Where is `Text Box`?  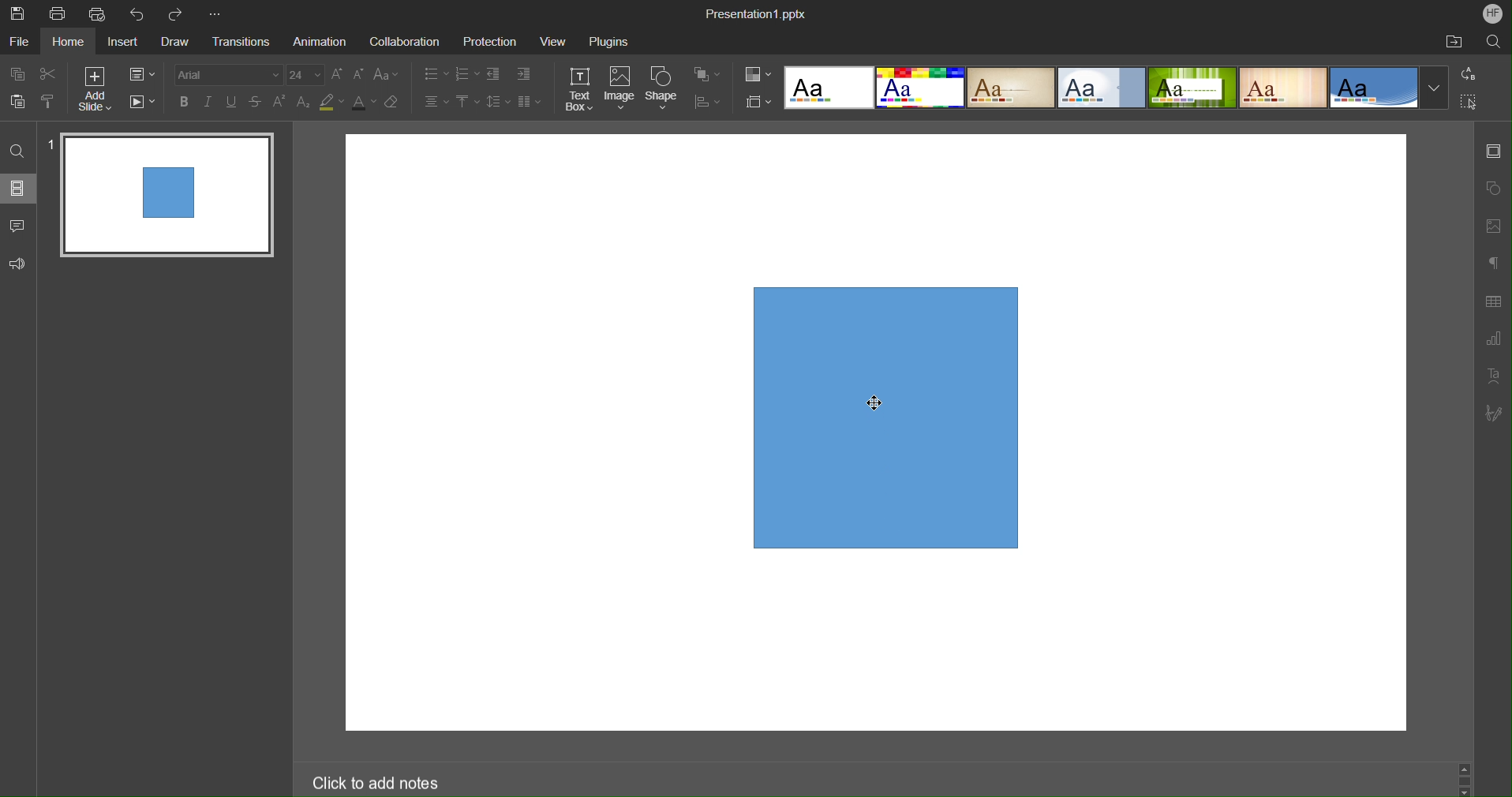
Text Box is located at coordinates (582, 89).